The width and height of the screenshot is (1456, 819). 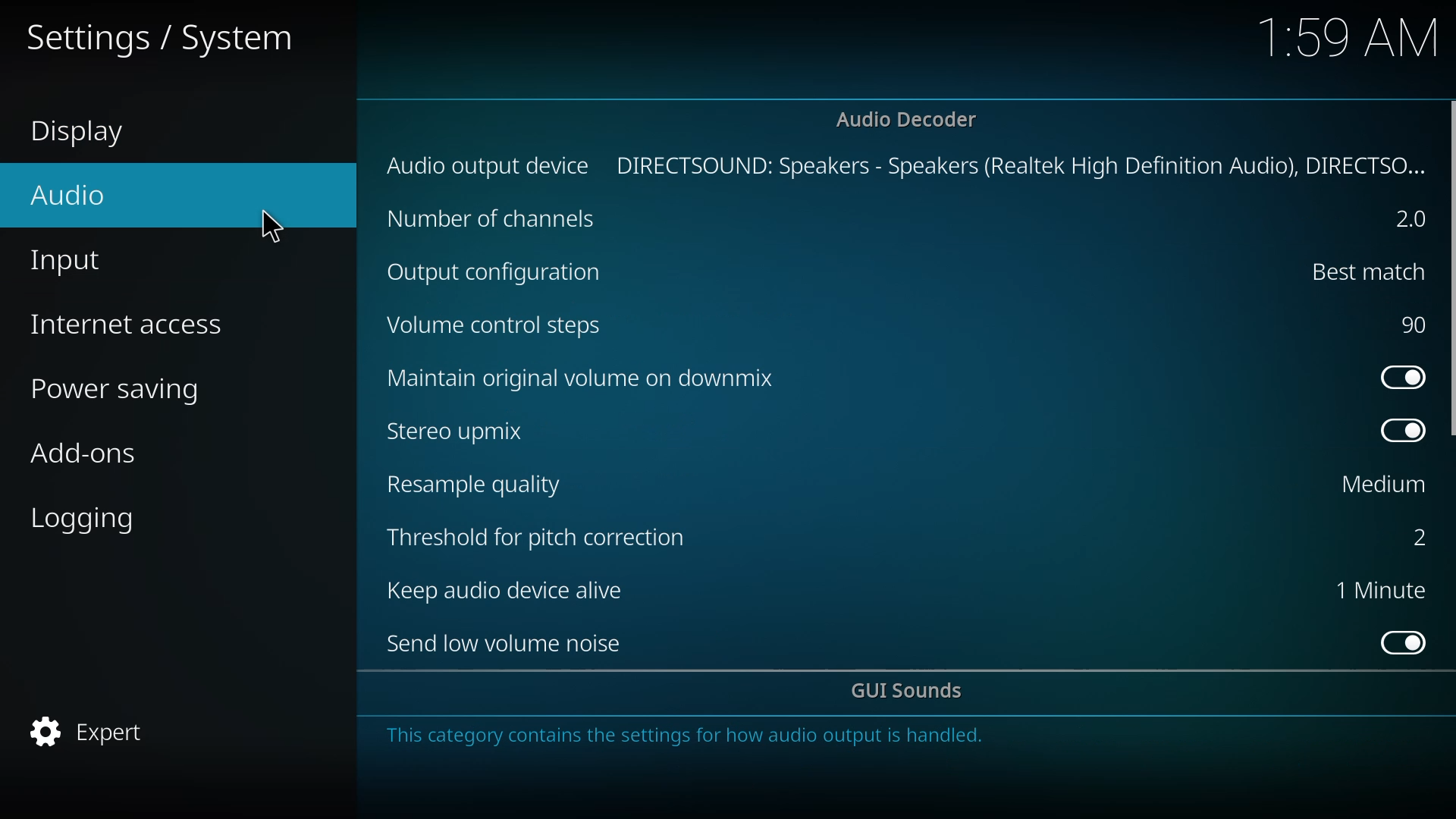 I want to click on logging, so click(x=88, y=518).